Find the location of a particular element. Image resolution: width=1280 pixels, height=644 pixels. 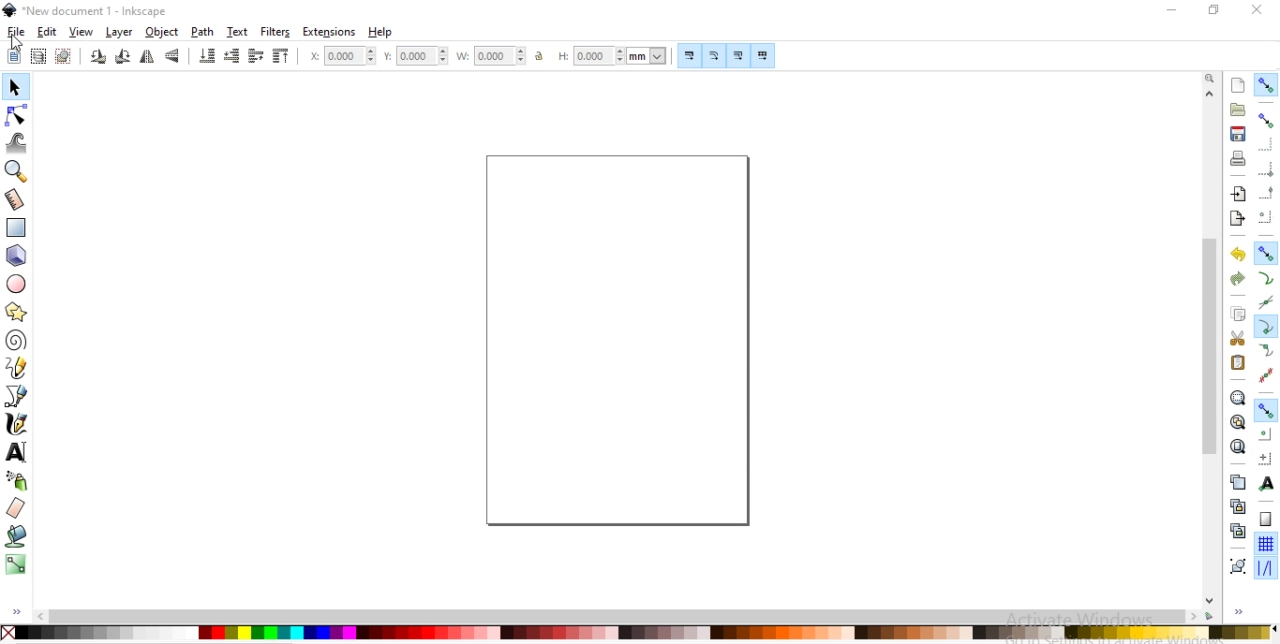

copy is located at coordinates (1238, 315).